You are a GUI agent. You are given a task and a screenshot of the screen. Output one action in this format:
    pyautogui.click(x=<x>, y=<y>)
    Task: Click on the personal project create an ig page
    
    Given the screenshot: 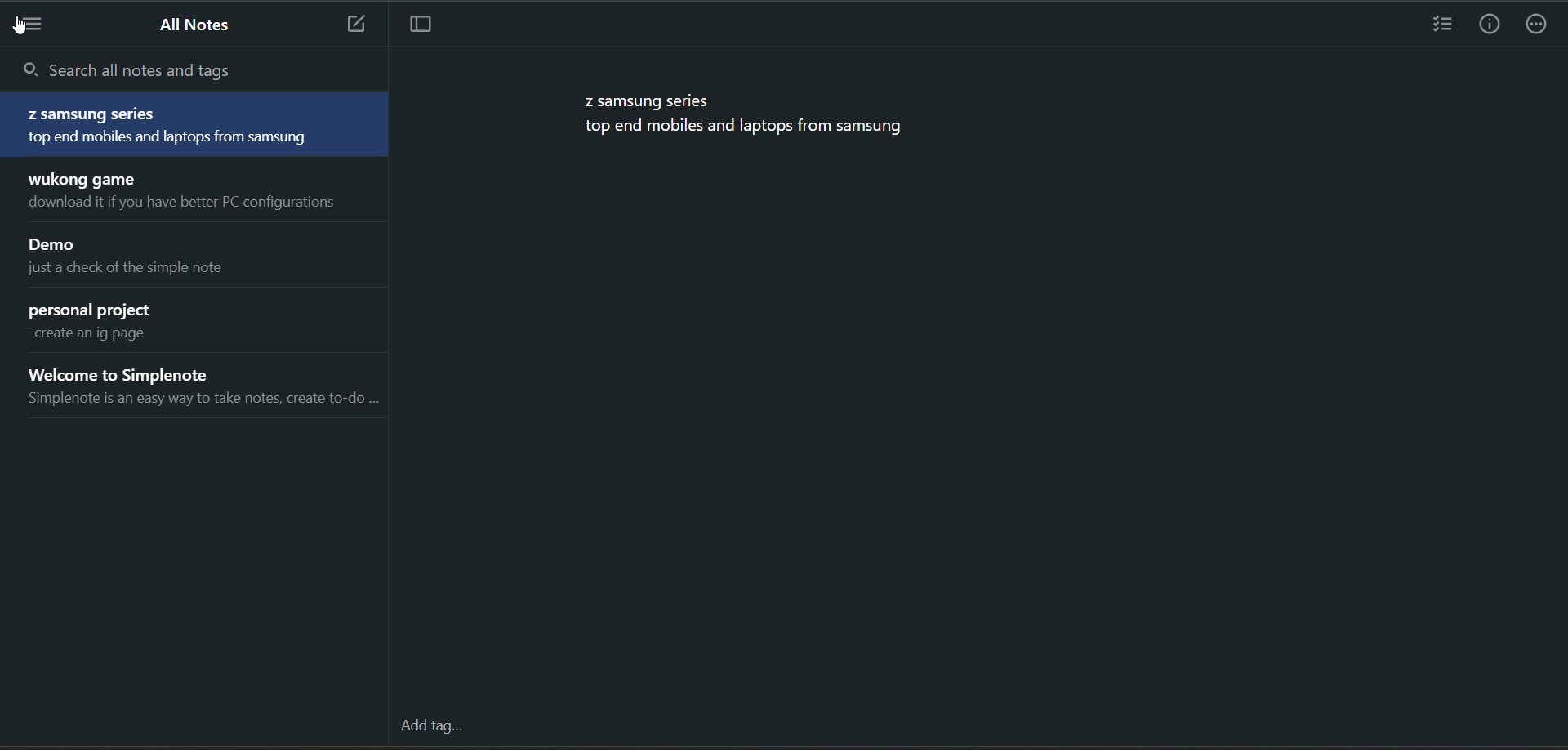 What is the action you would take?
    pyautogui.click(x=199, y=323)
    